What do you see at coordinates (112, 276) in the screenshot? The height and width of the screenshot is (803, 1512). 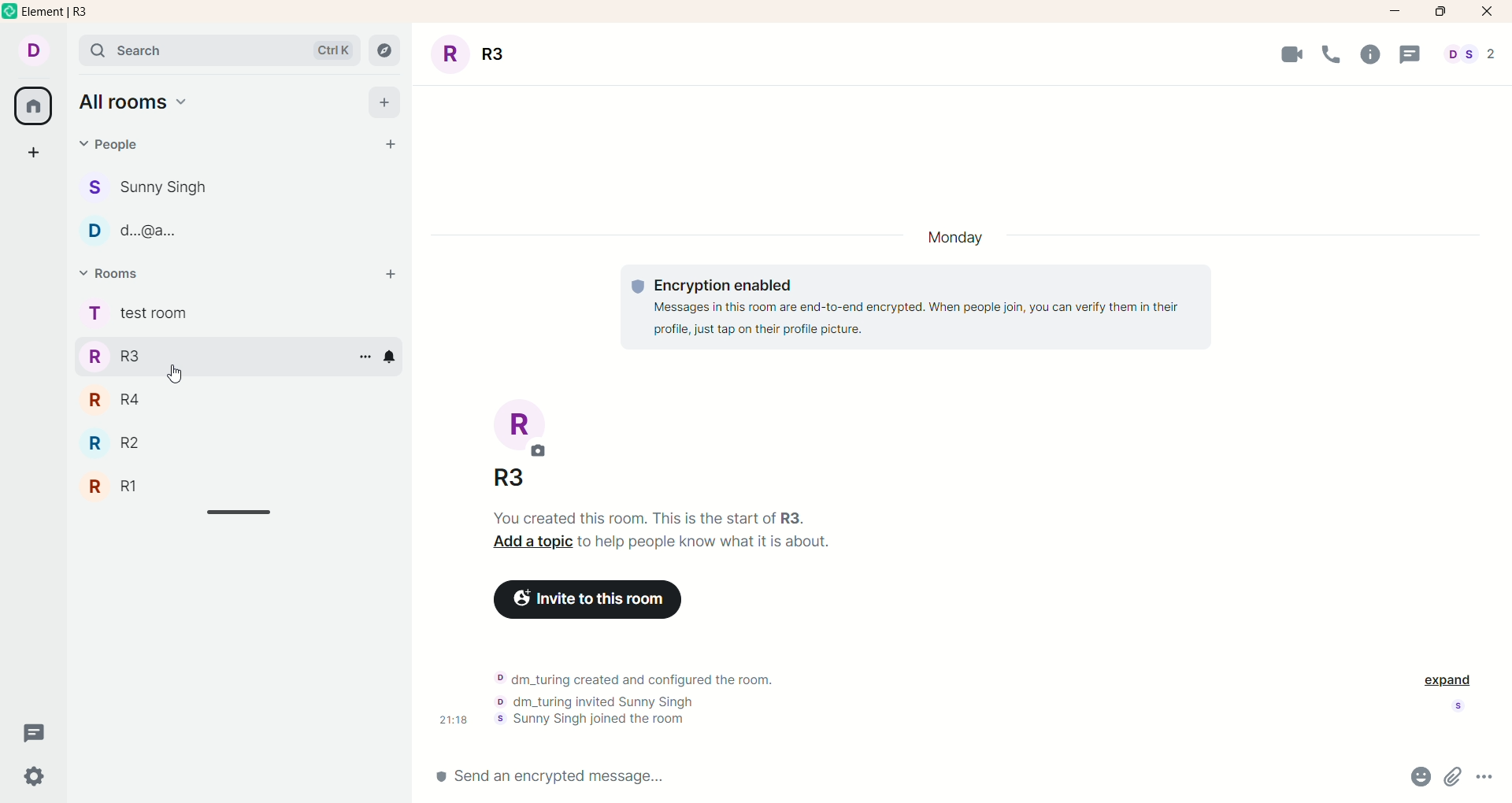 I see `rooms` at bounding box center [112, 276].